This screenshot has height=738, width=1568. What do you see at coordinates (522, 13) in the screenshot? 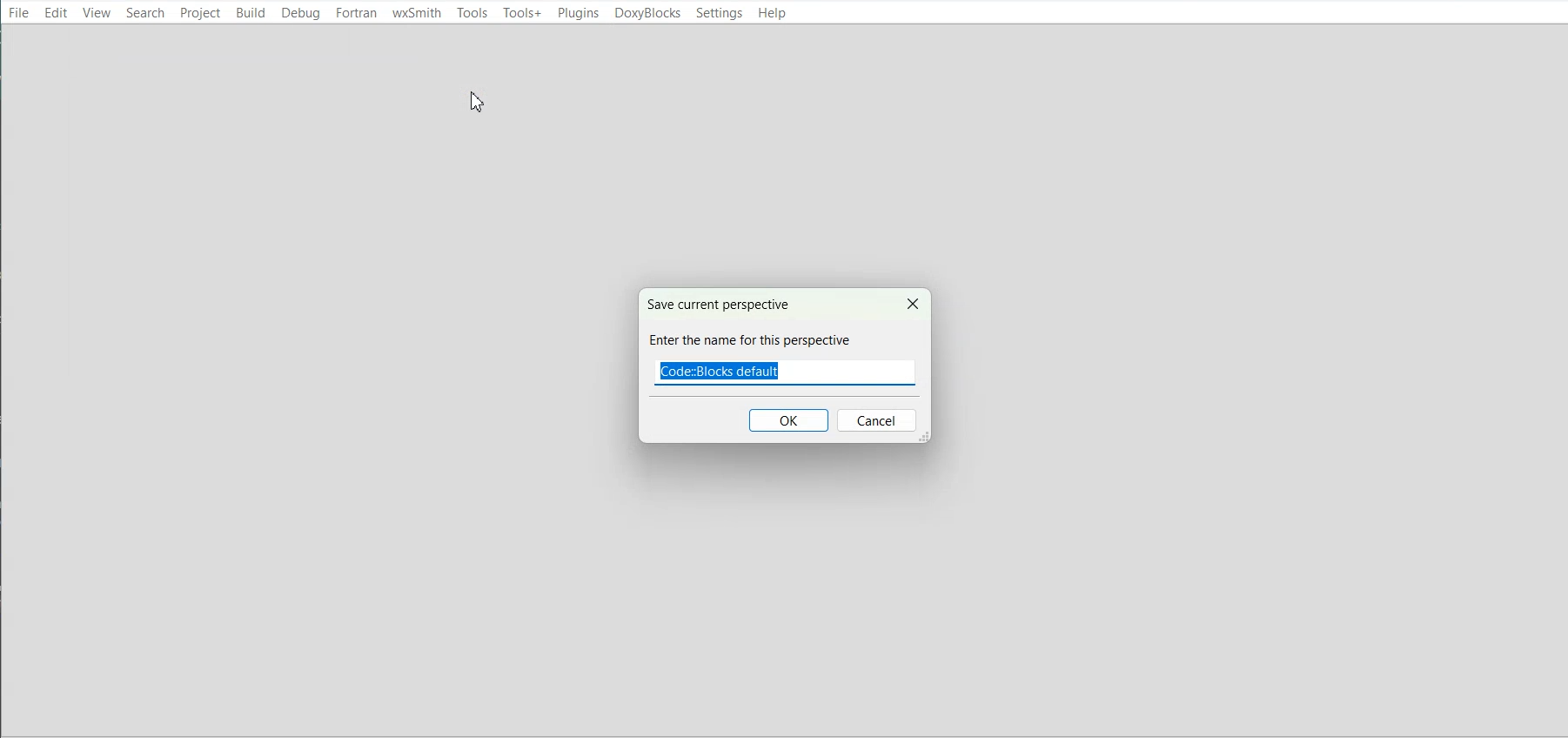
I see `Tools+` at bounding box center [522, 13].